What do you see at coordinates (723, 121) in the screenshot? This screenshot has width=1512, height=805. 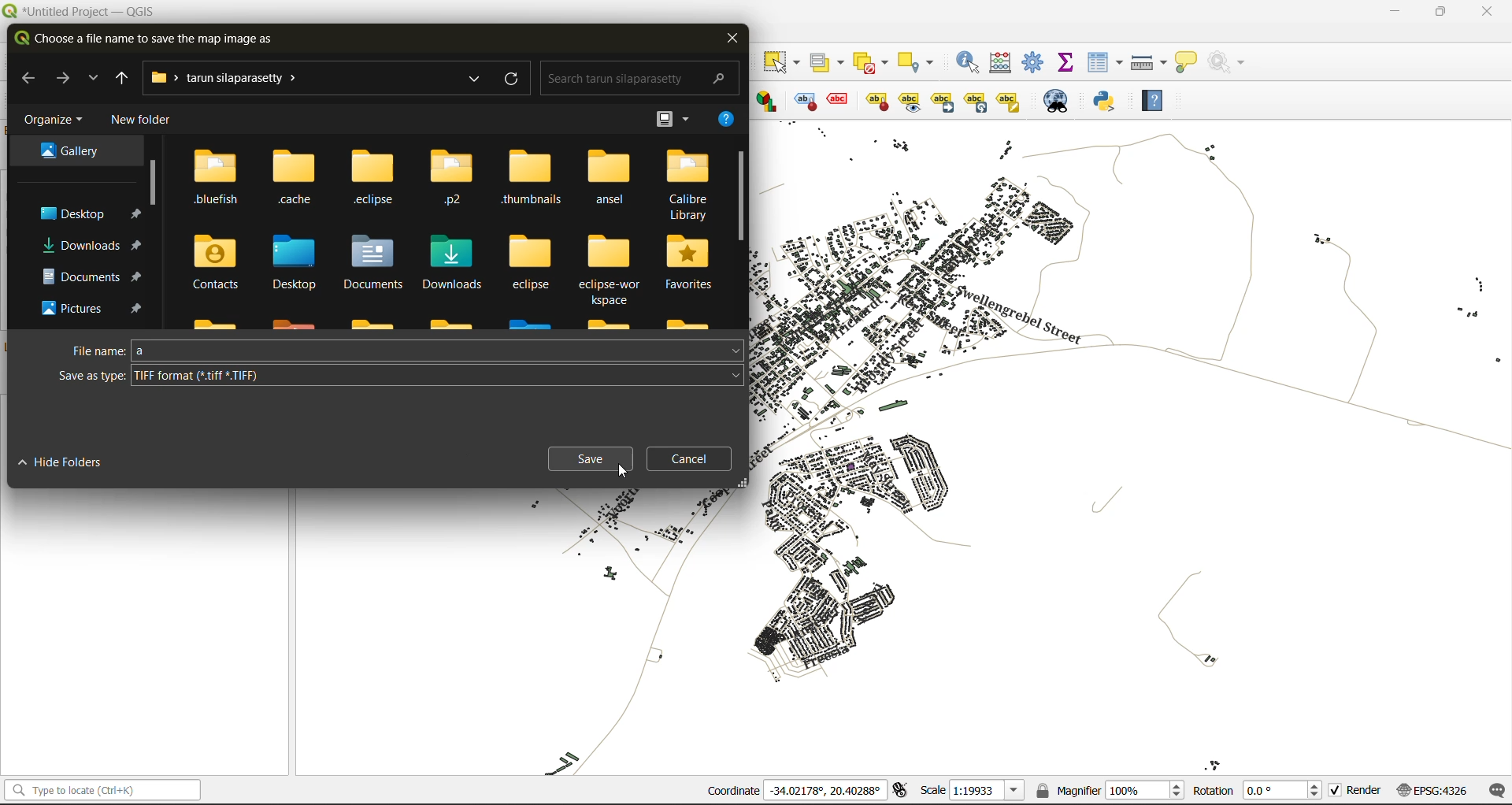 I see `help` at bounding box center [723, 121].